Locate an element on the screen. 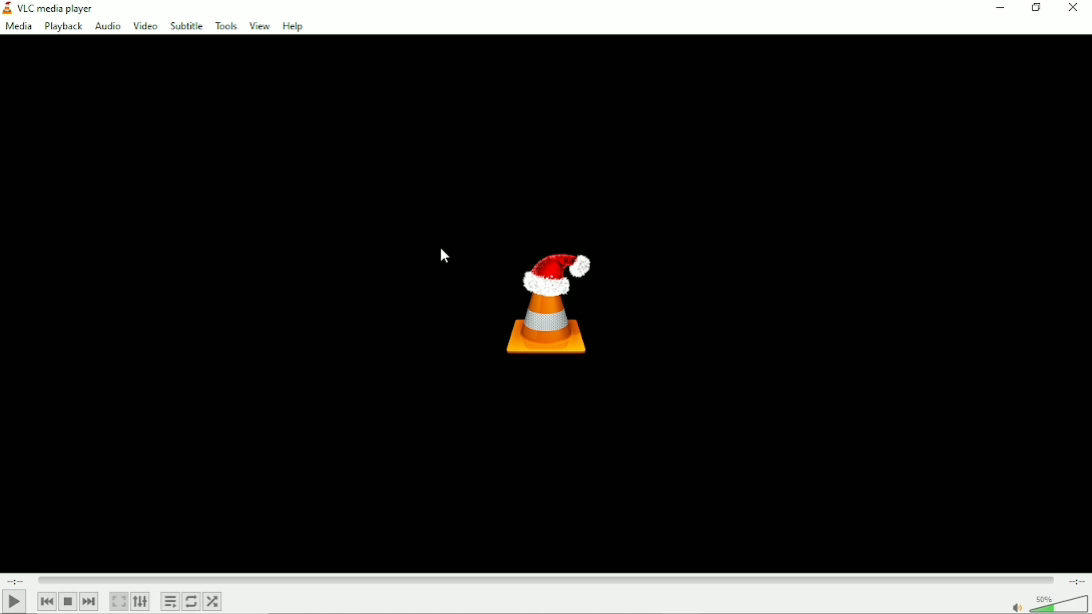 The height and width of the screenshot is (614, 1092). Logo is located at coordinates (555, 307).